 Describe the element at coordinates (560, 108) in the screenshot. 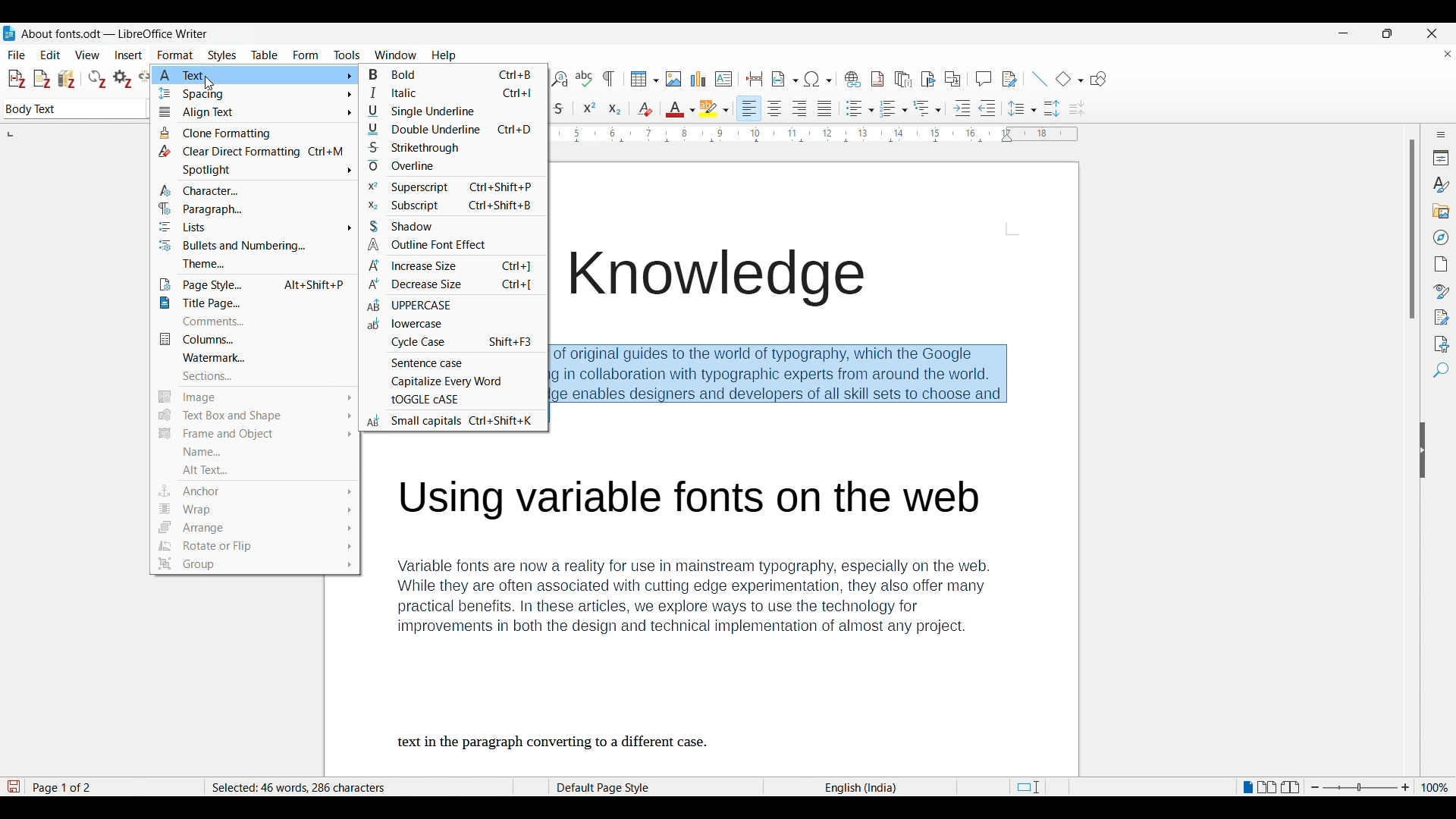

I see `Strike through` at that location.